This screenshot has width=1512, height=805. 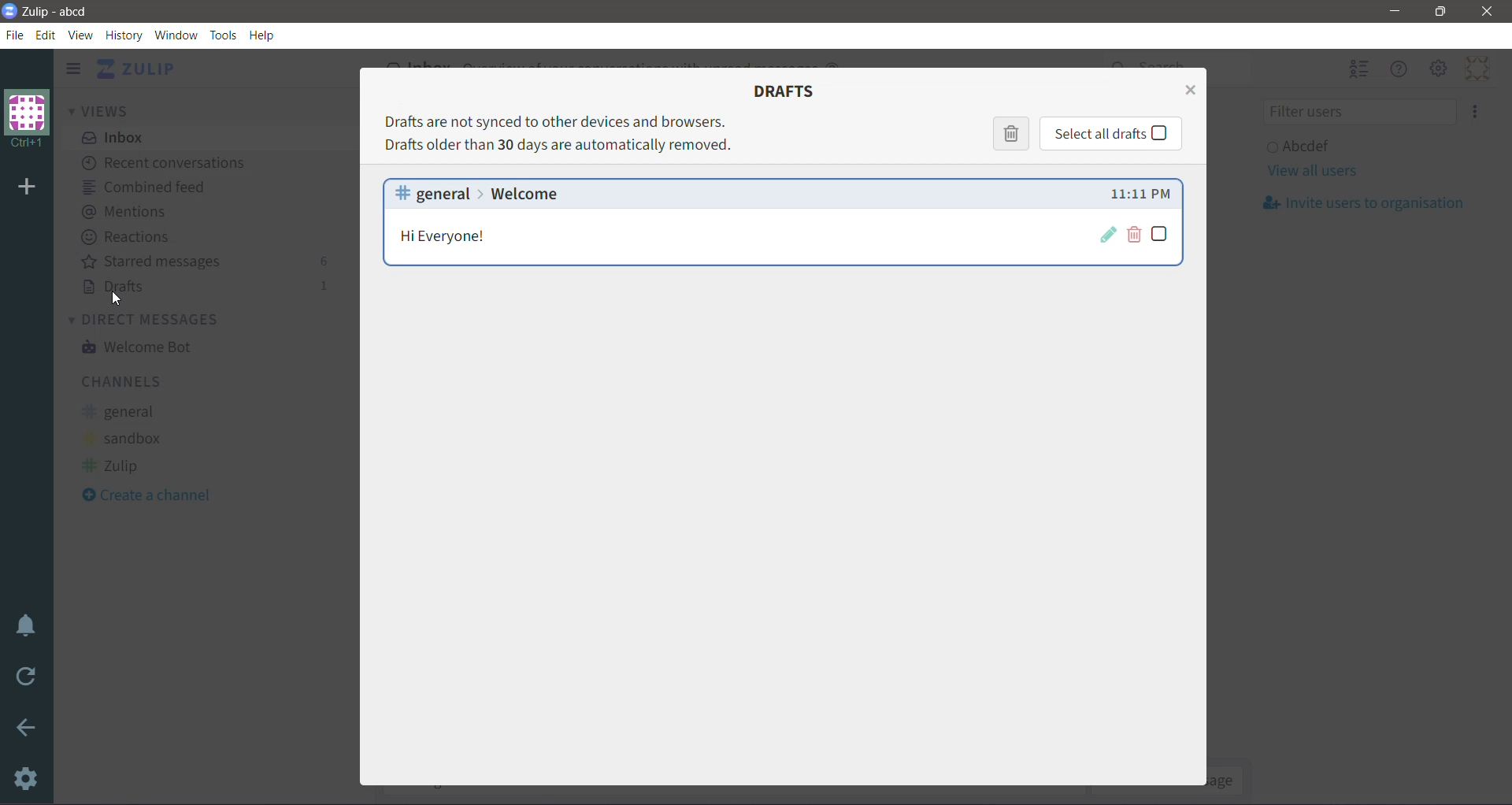 What do you see at coordinates (128, 237) in the screenshot?
I see `Reactions` at bounding box center [128, 237].